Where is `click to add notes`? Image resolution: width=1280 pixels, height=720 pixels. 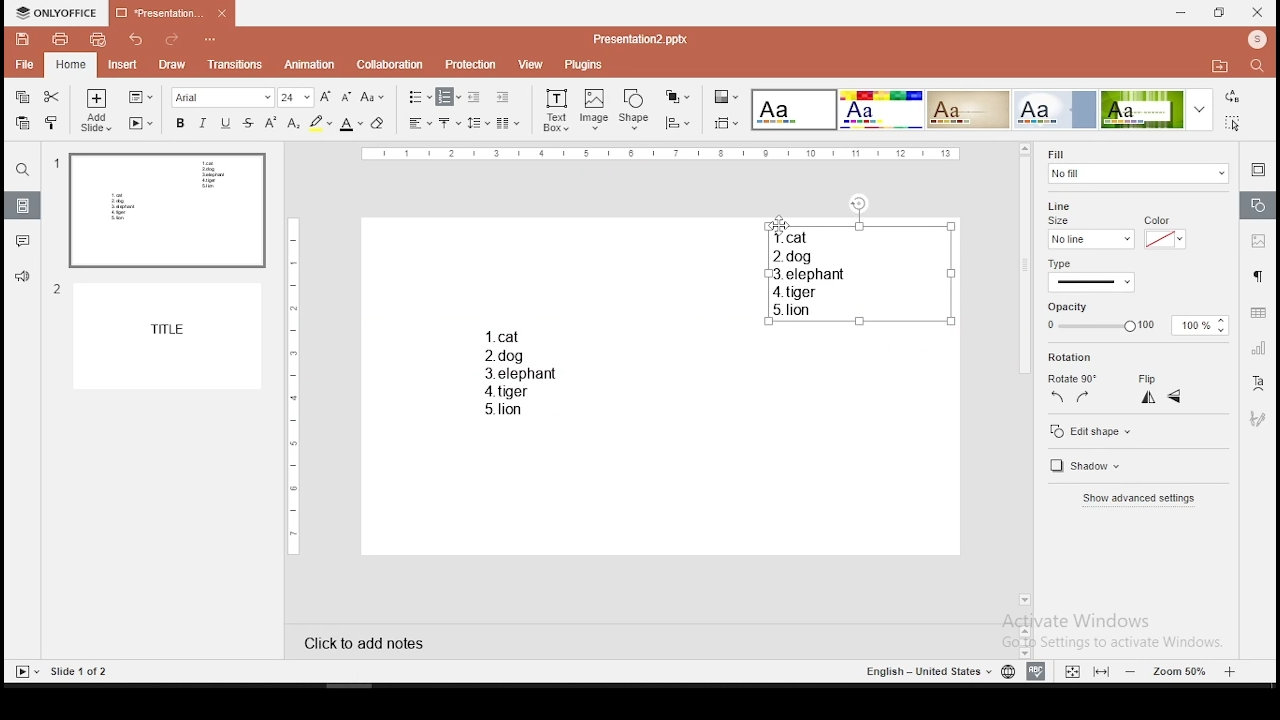 click to add notes is located at coordinates (358, 643).